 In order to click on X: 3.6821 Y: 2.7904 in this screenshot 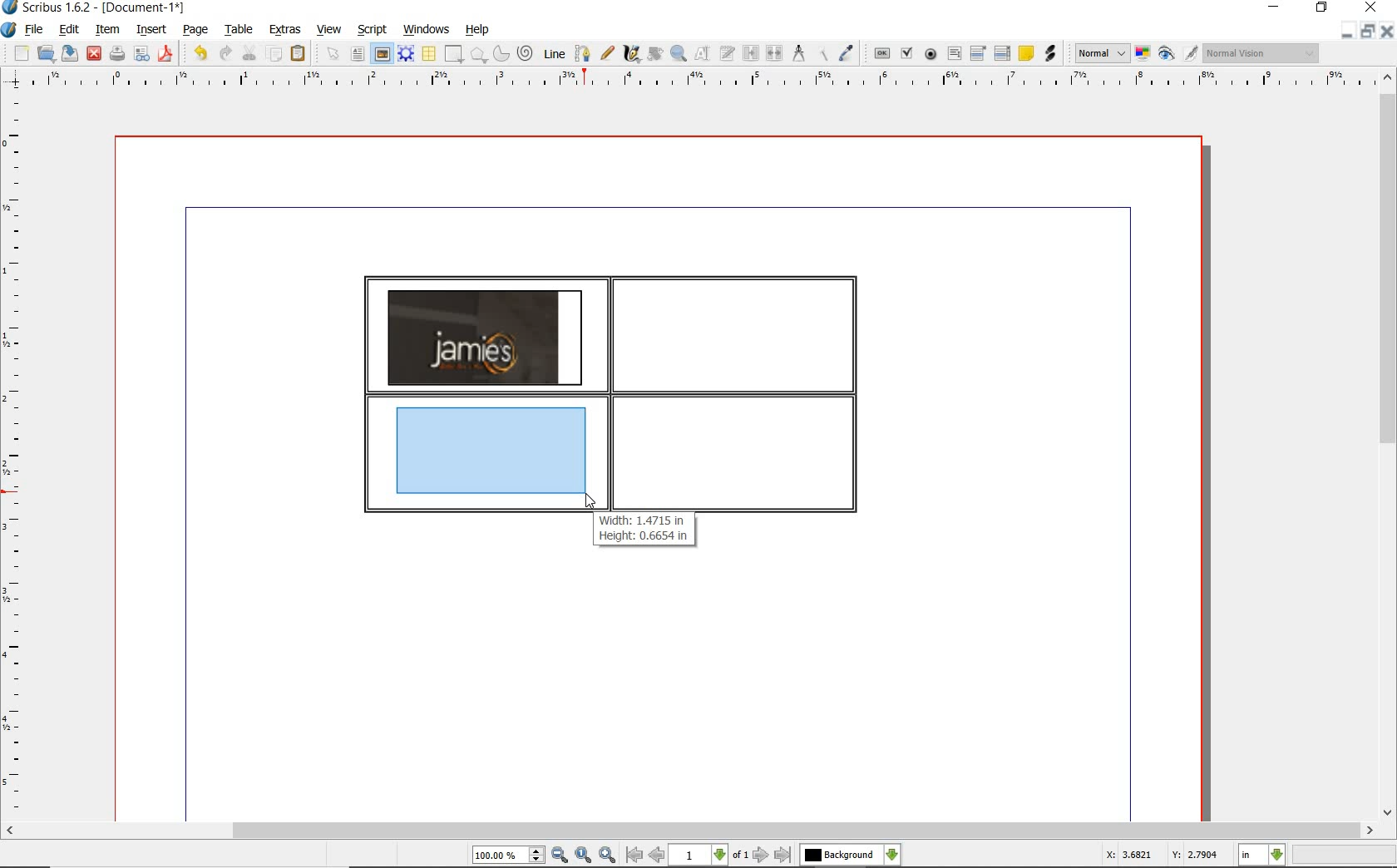, I will do `click(1161, 856)`.